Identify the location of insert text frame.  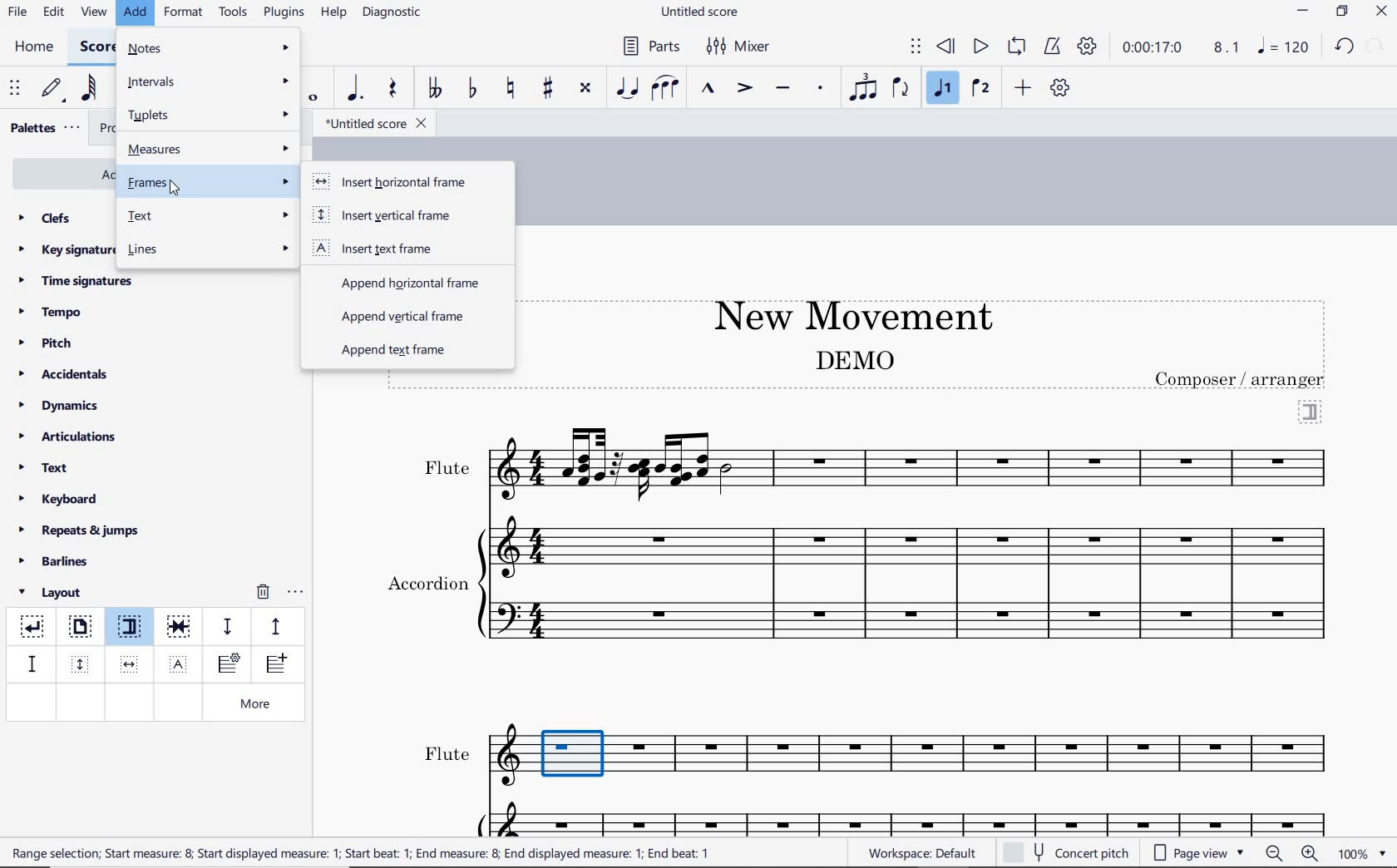
(391, 249).